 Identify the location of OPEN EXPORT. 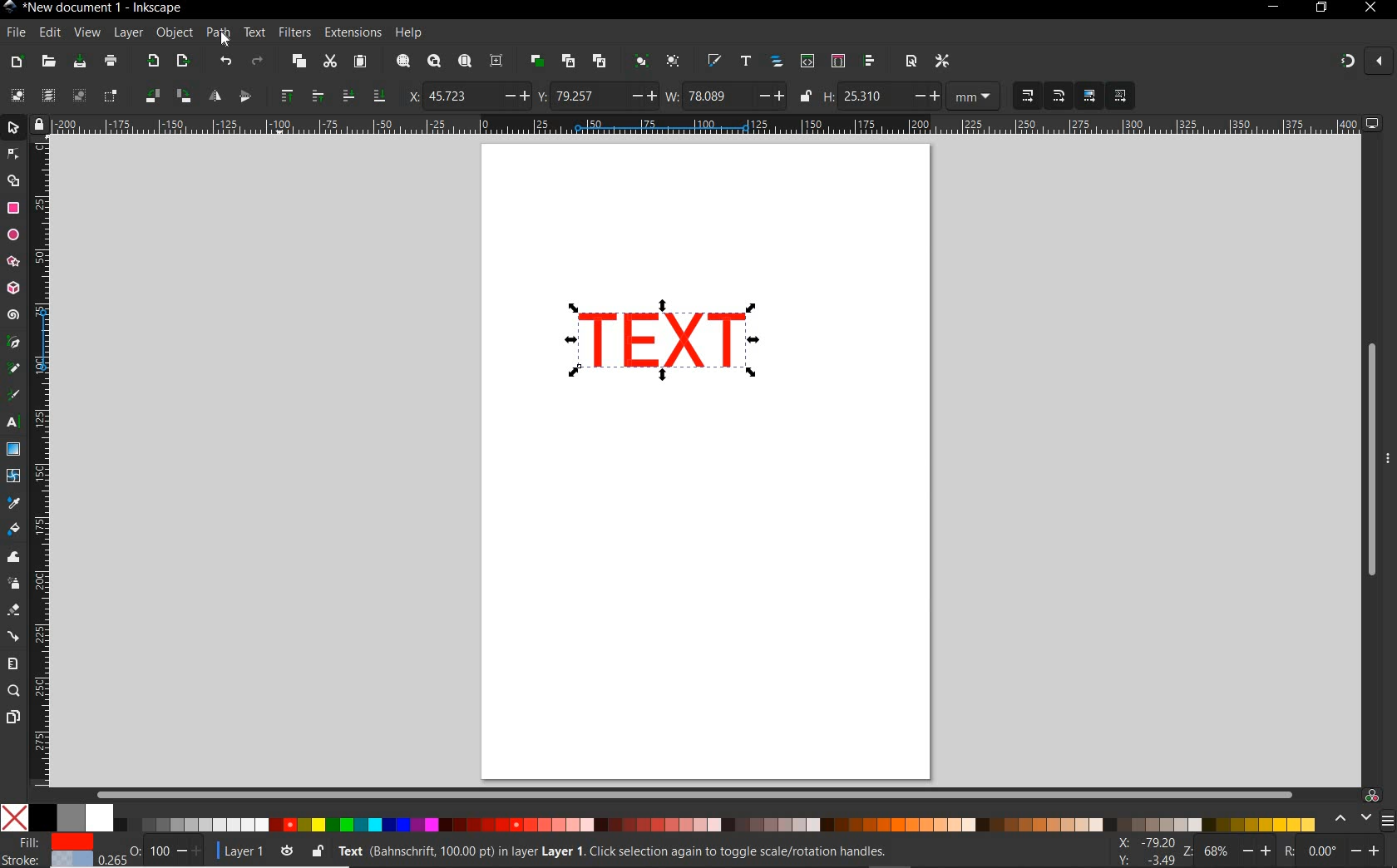
(184, 62).